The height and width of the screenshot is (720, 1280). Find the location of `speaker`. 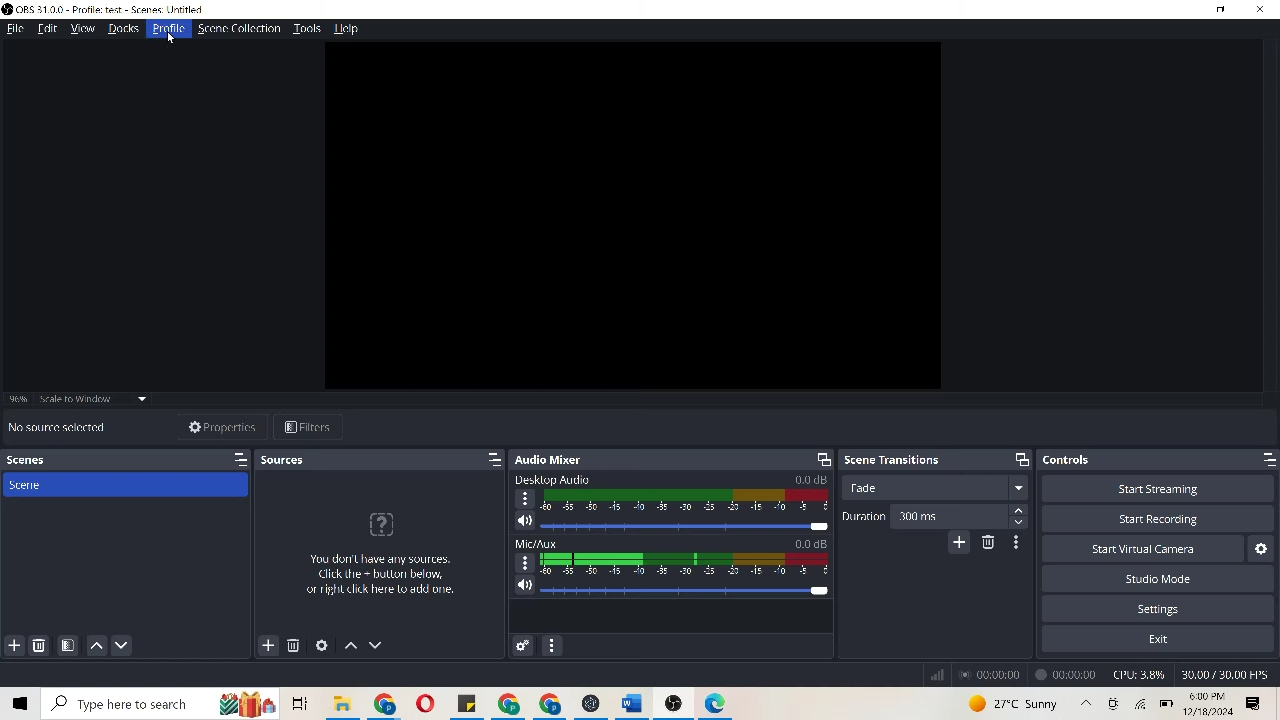

speaker is located at coordinates (523, 585).